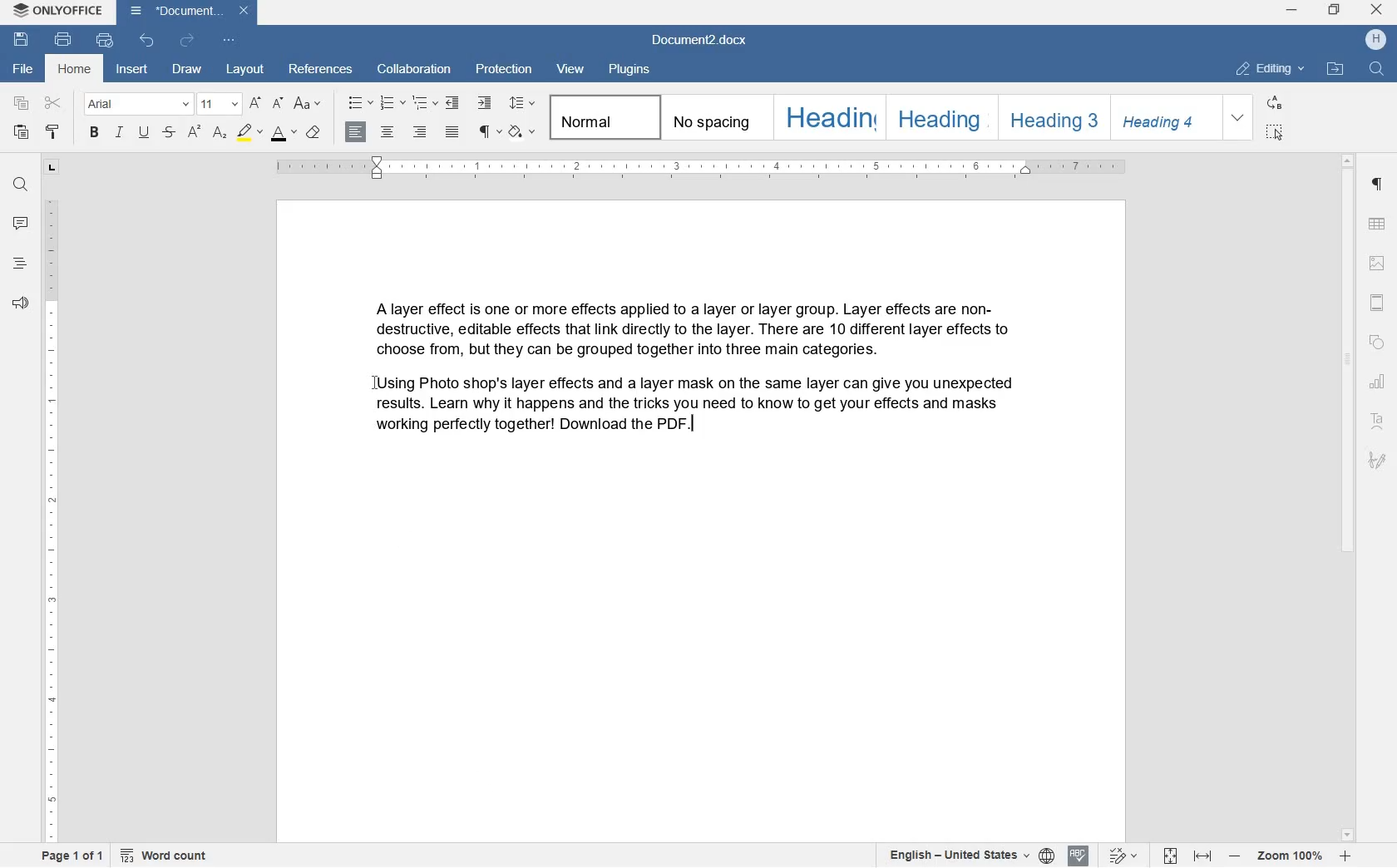 Image resolution: width=1397 pixels, height=868 pixels. What do you see at coordinates (356, 133) in the screenshot?
I see `LEFT ALIGNMENT` at bounding box center [356, 133].